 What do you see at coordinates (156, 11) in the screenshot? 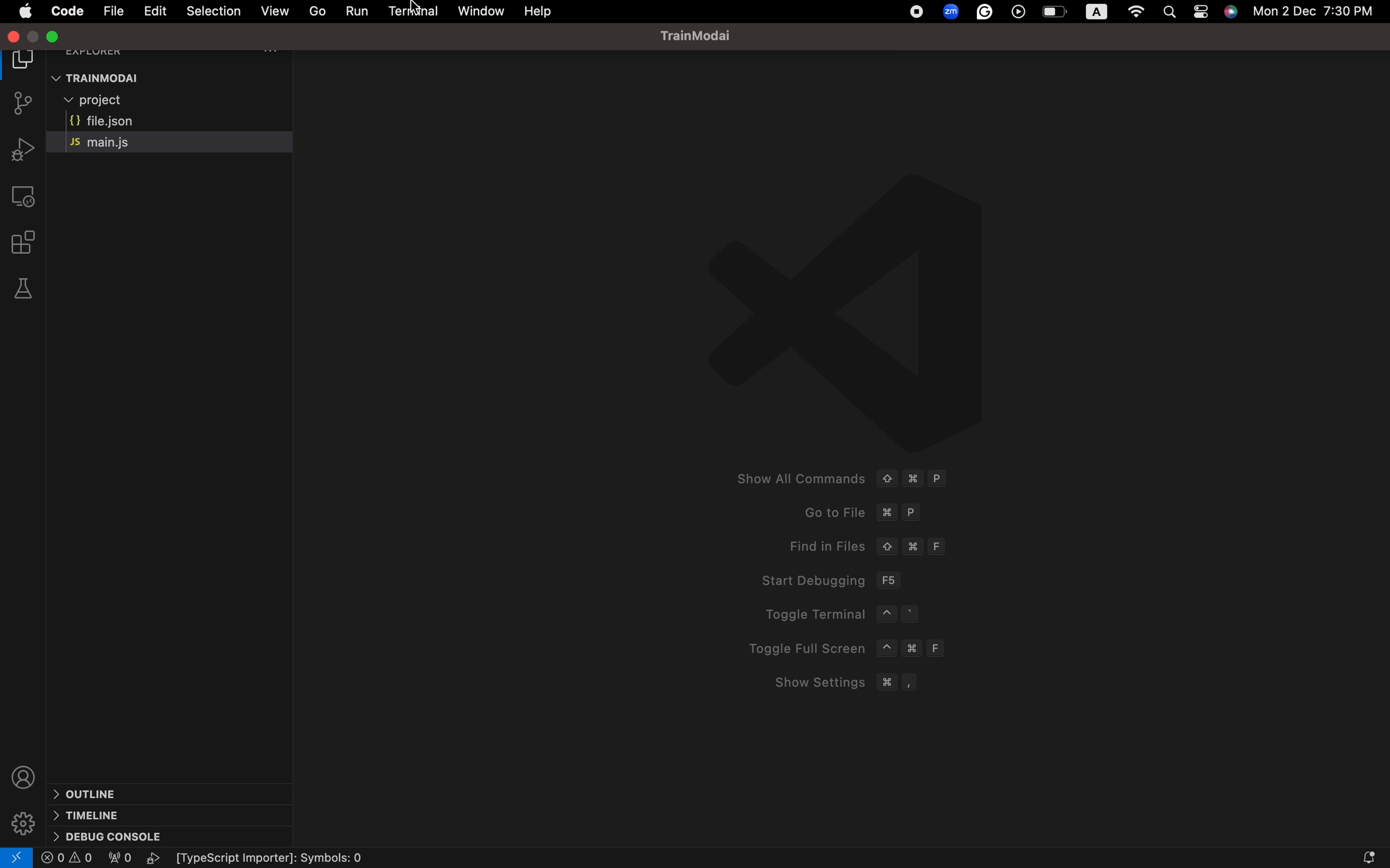
I see `edit` at bounding box center [156, 11].